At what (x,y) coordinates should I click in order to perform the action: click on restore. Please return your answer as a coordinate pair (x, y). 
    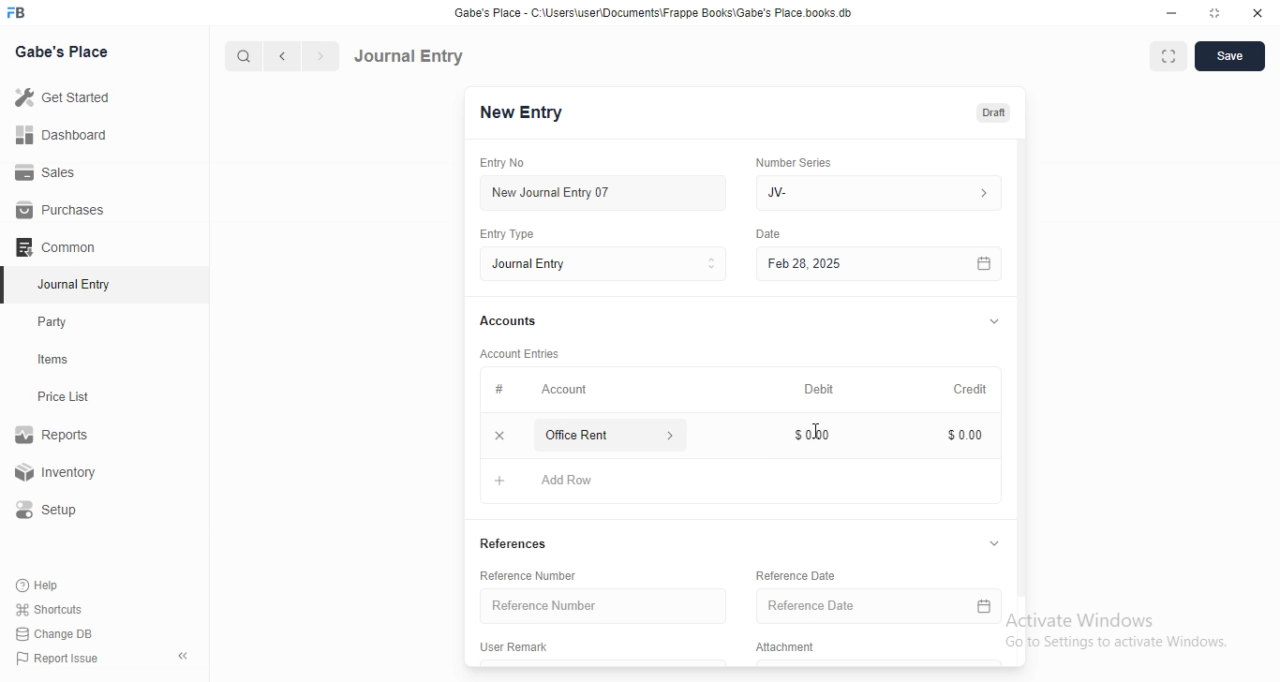
    Looking at the image, I should click on (1213, 12).